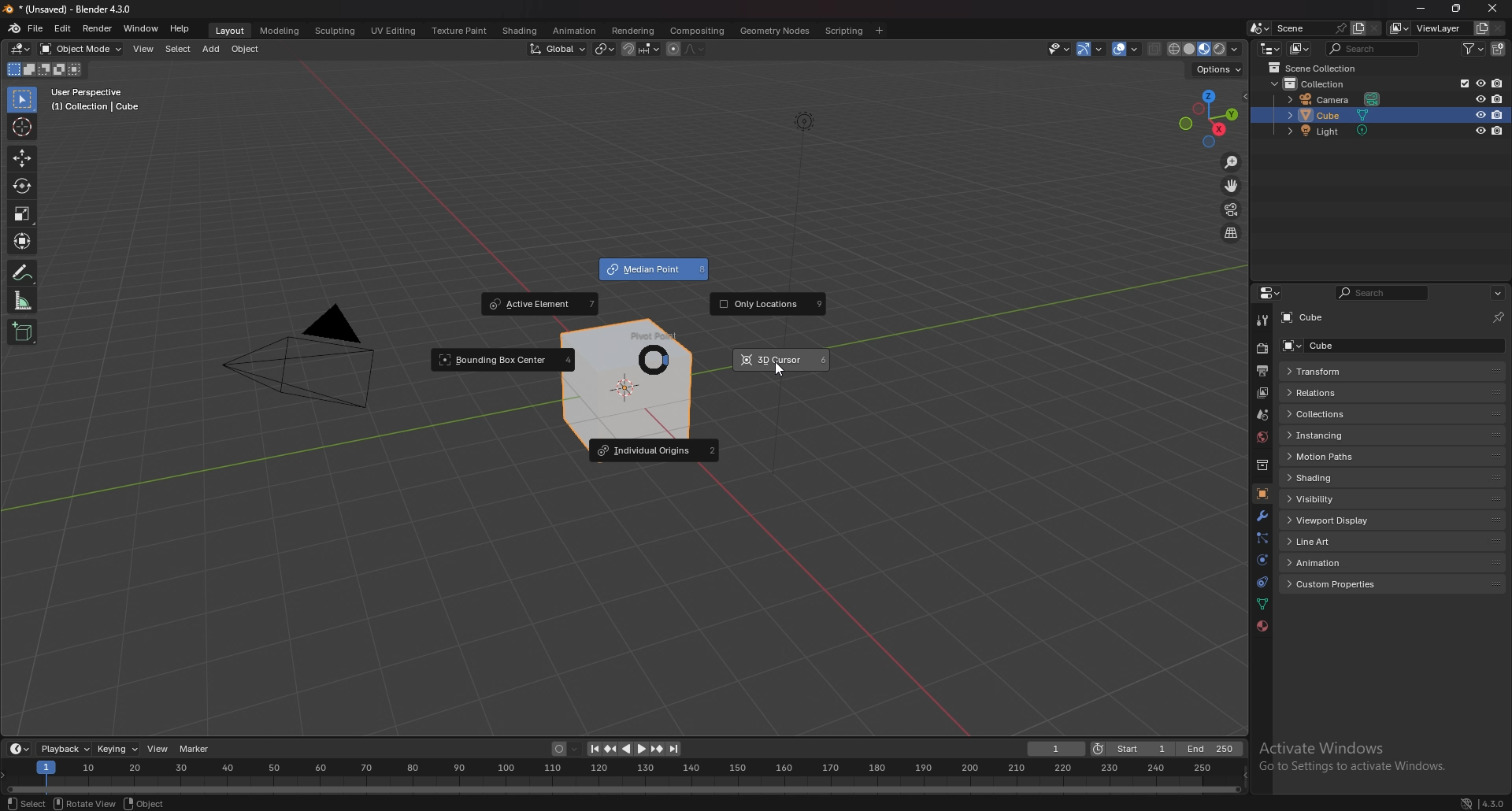  I want to click on modifier, so click(1262, 515).